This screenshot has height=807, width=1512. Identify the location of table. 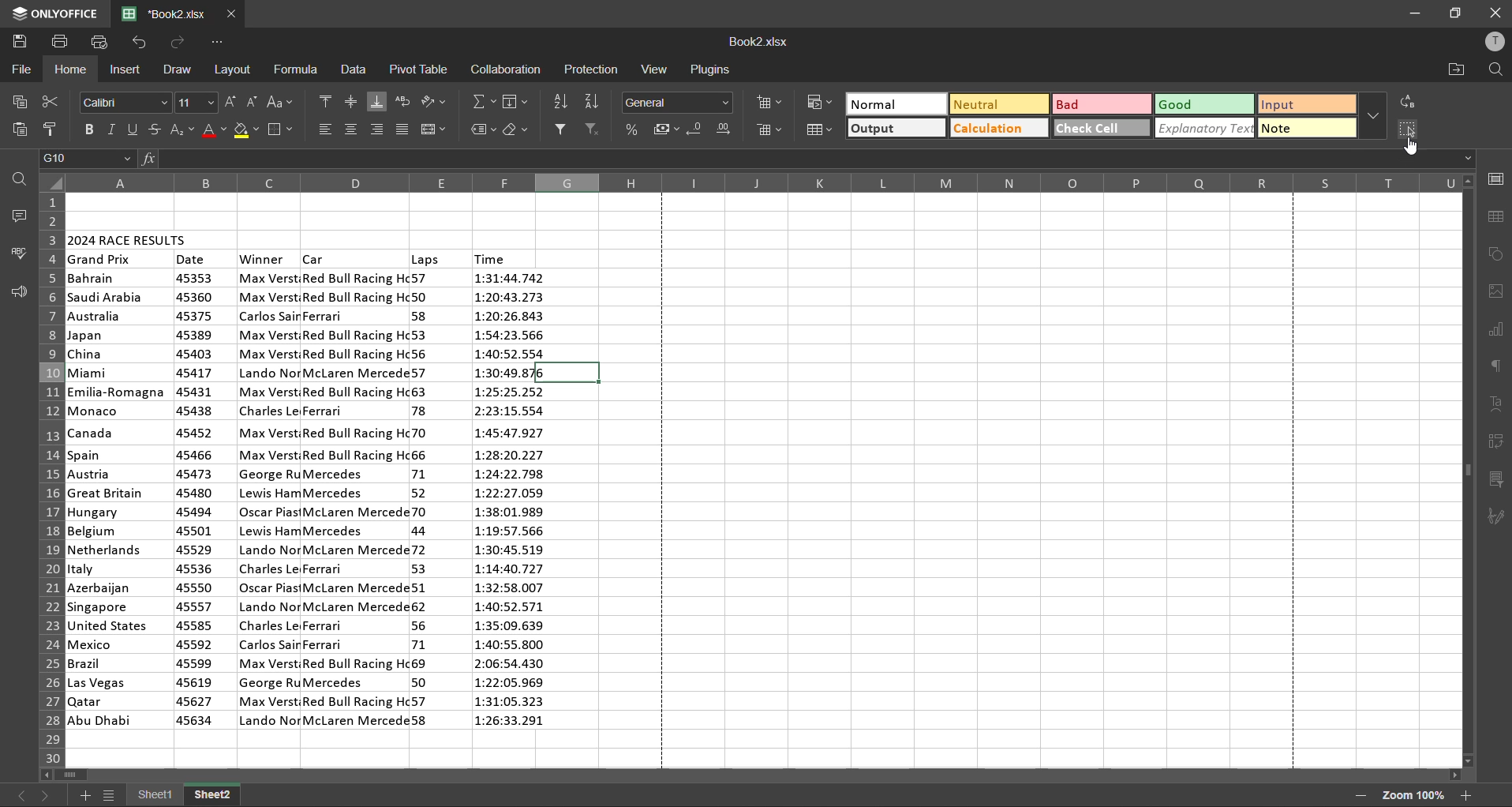
(1493, 220).